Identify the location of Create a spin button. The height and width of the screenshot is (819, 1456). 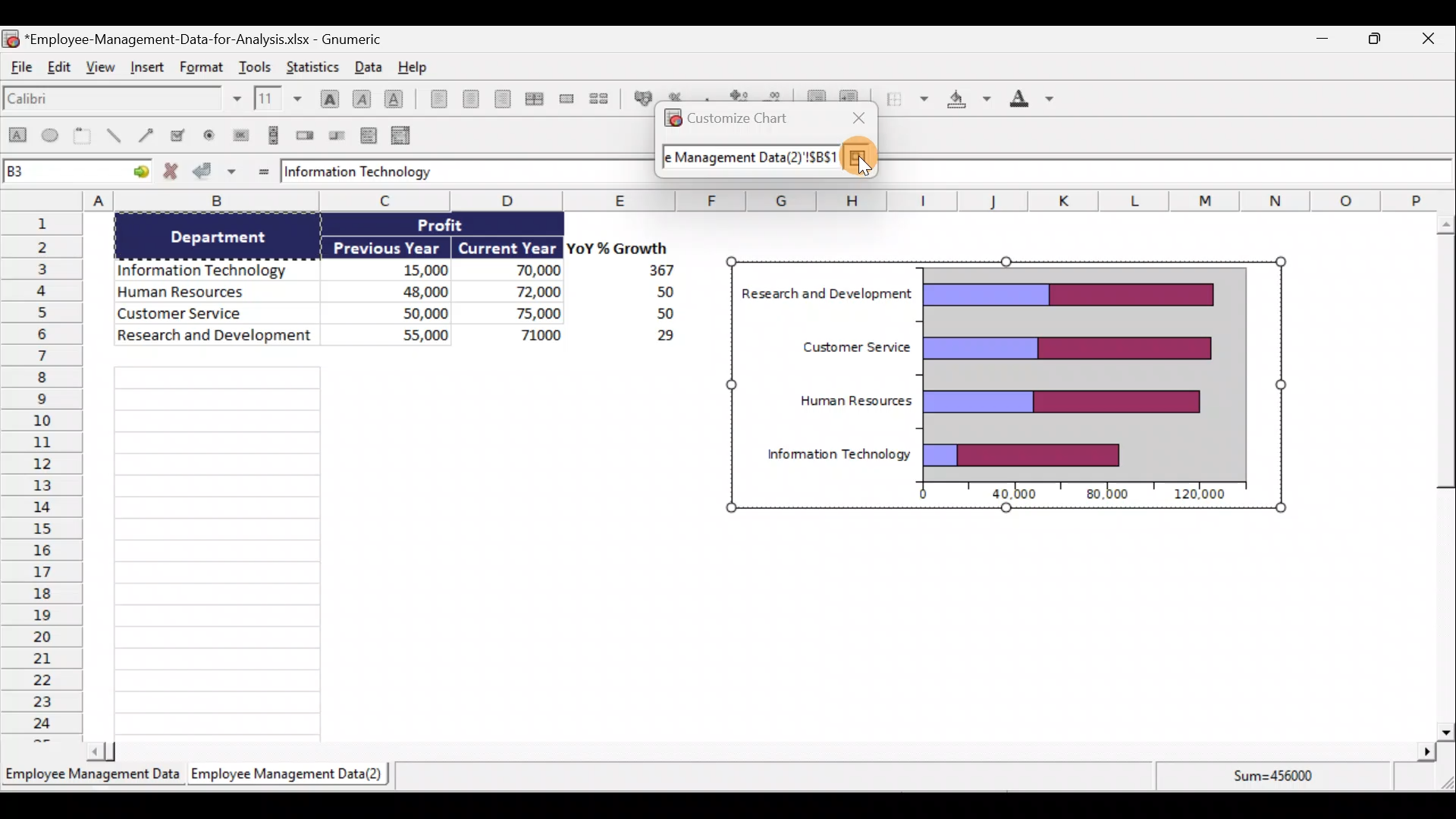
(306, 136).